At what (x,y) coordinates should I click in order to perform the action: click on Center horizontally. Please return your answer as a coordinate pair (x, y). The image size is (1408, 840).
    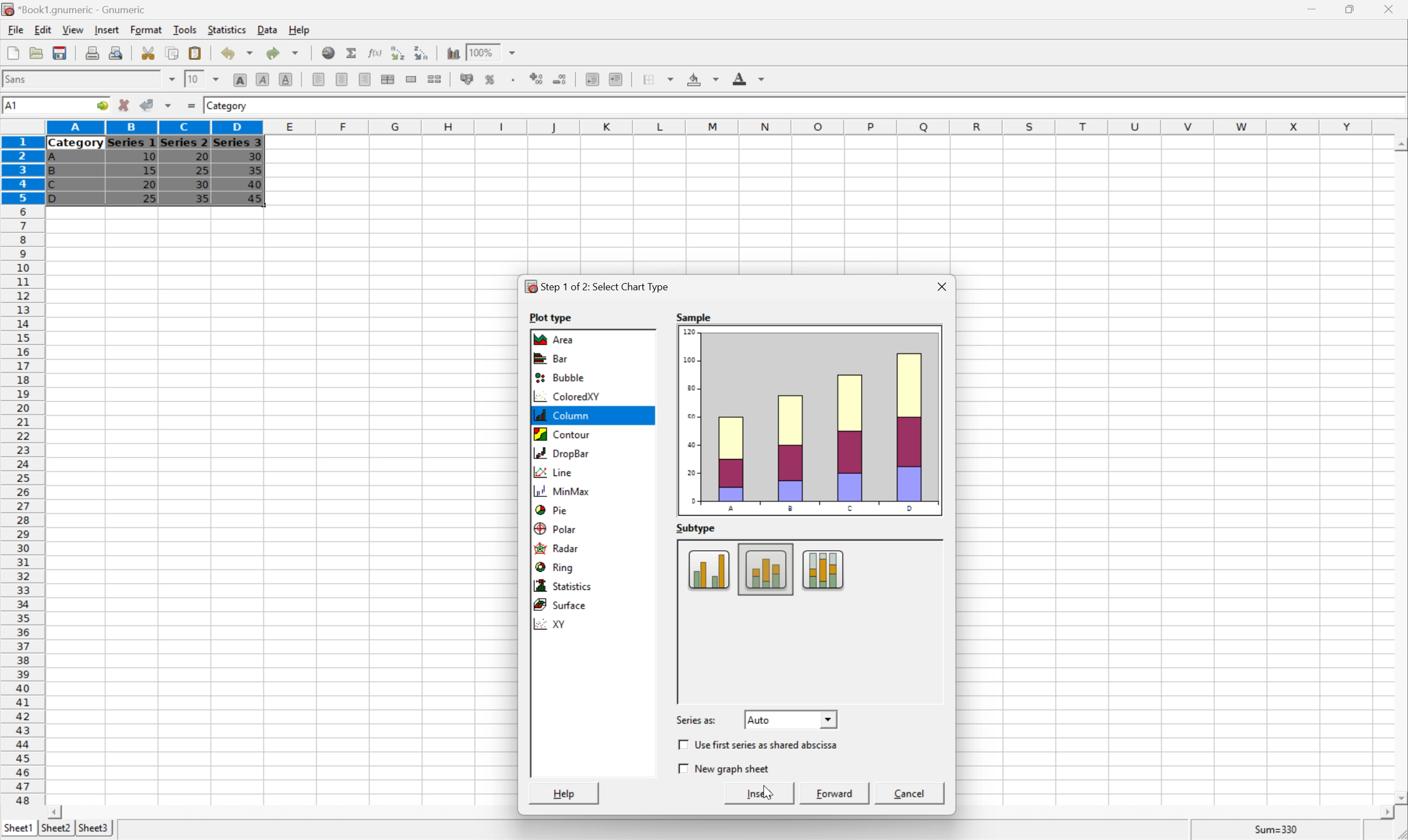
    Looking at the image, I should click on (343, 78).